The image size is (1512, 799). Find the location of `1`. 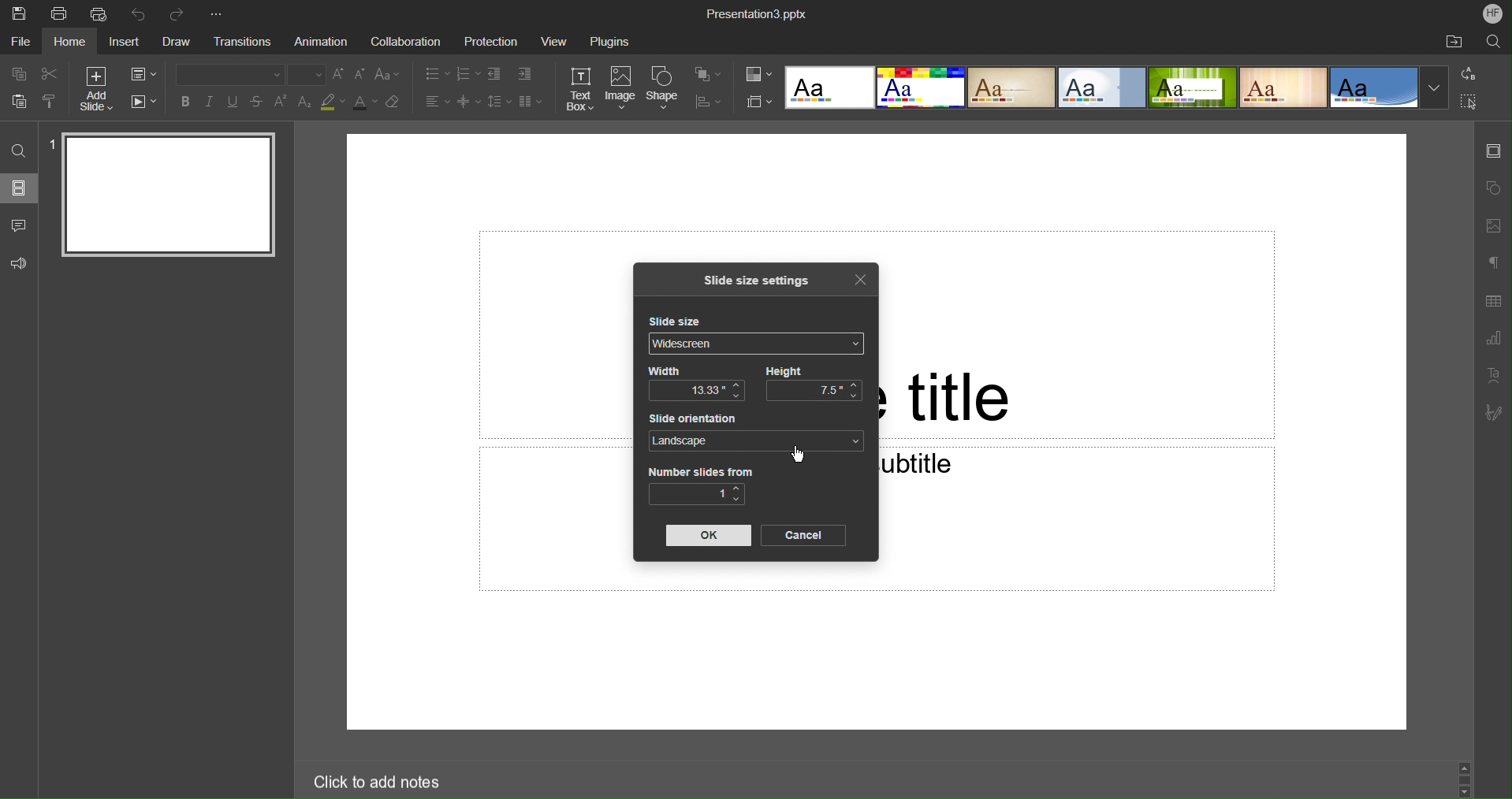

1 is located at coordinates (698, 495).